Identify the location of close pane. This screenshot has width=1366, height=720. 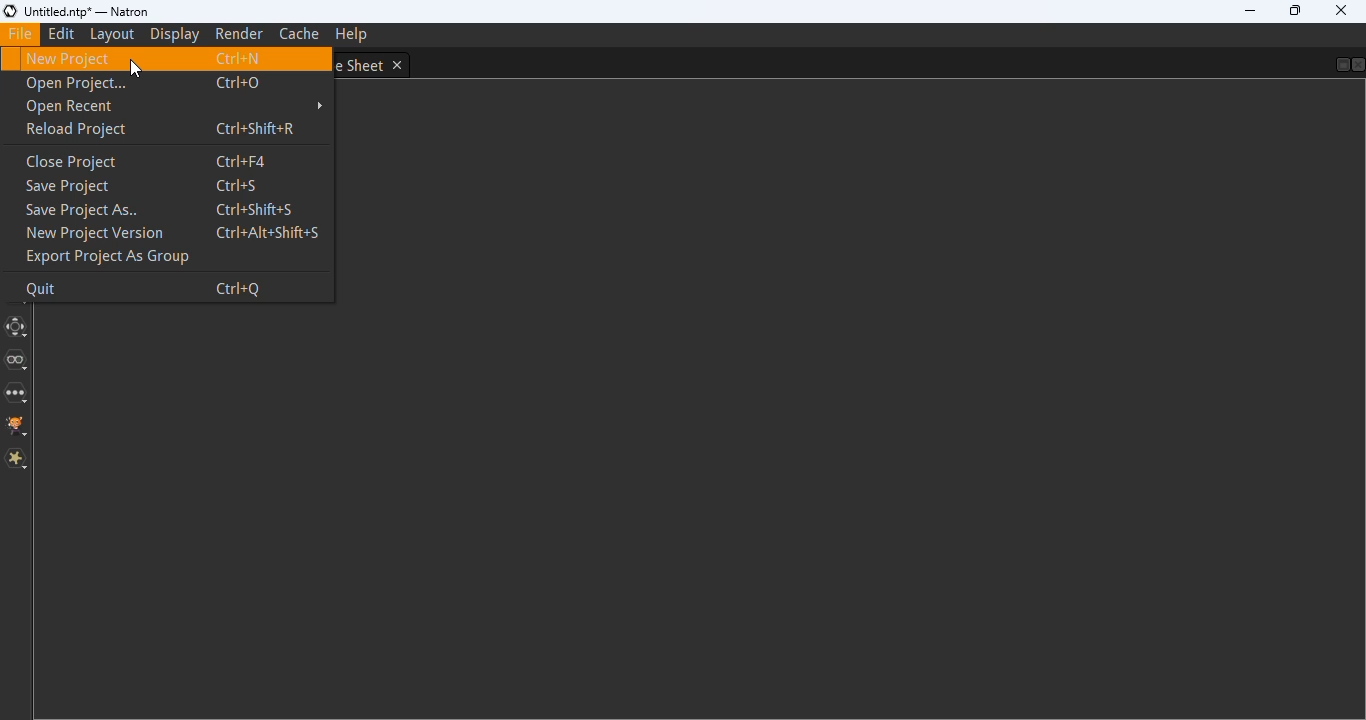
(1357, 65).